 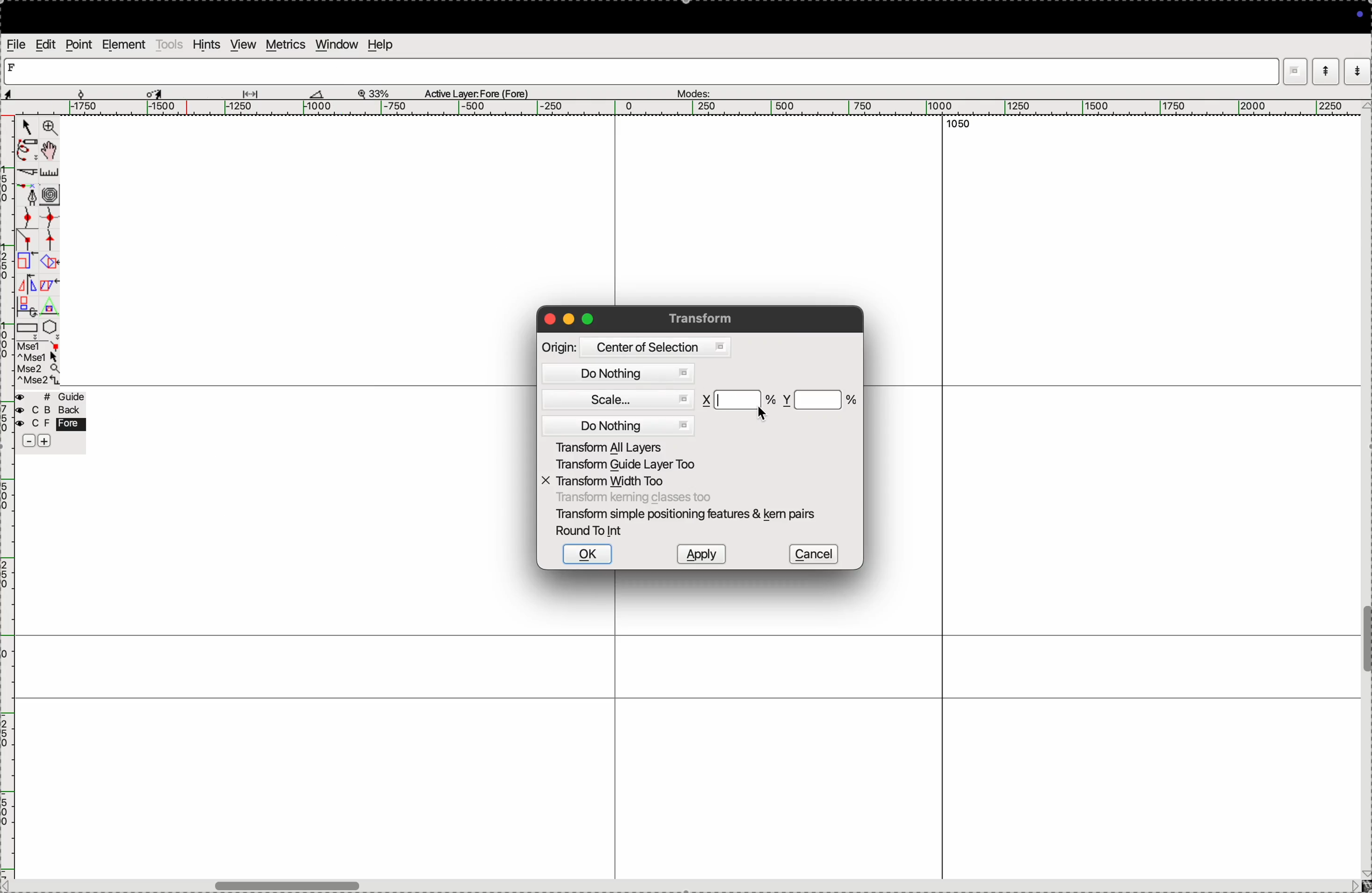 I want to click on fountain pen, so click(x=32, y=196).